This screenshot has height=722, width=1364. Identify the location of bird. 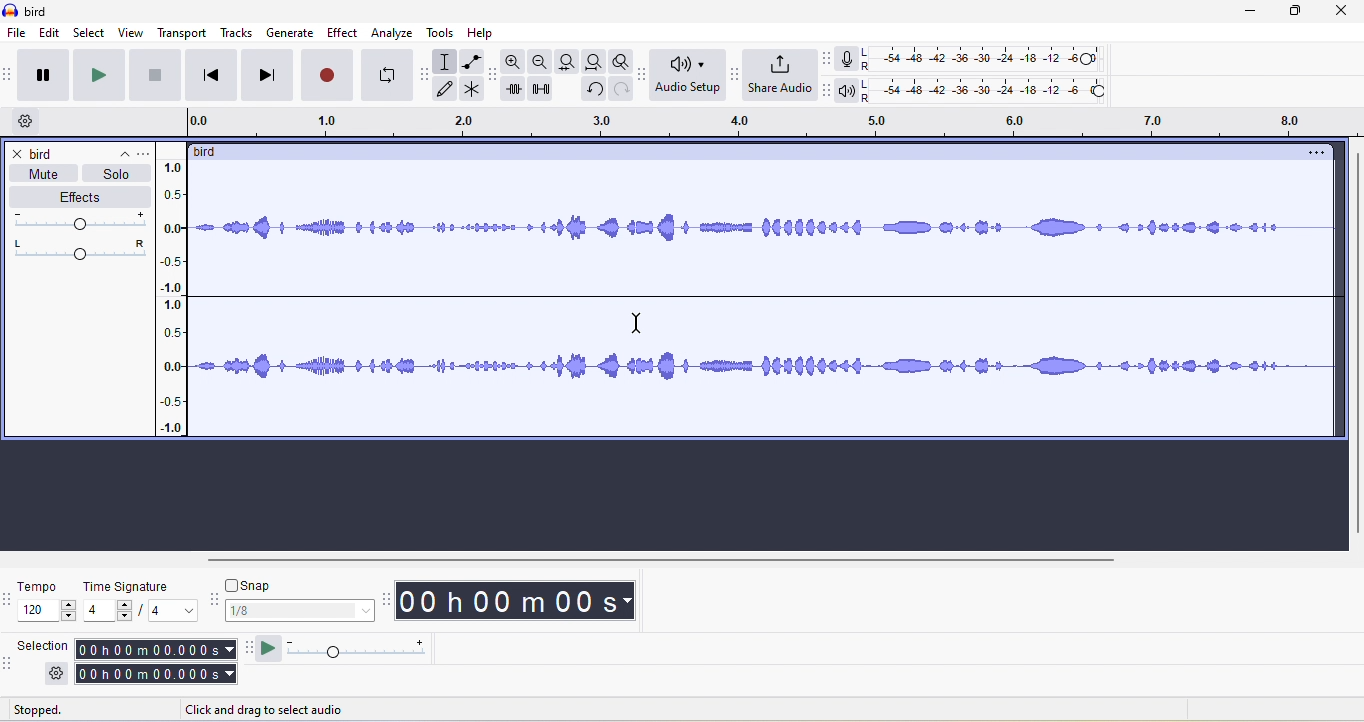
(213, 152).